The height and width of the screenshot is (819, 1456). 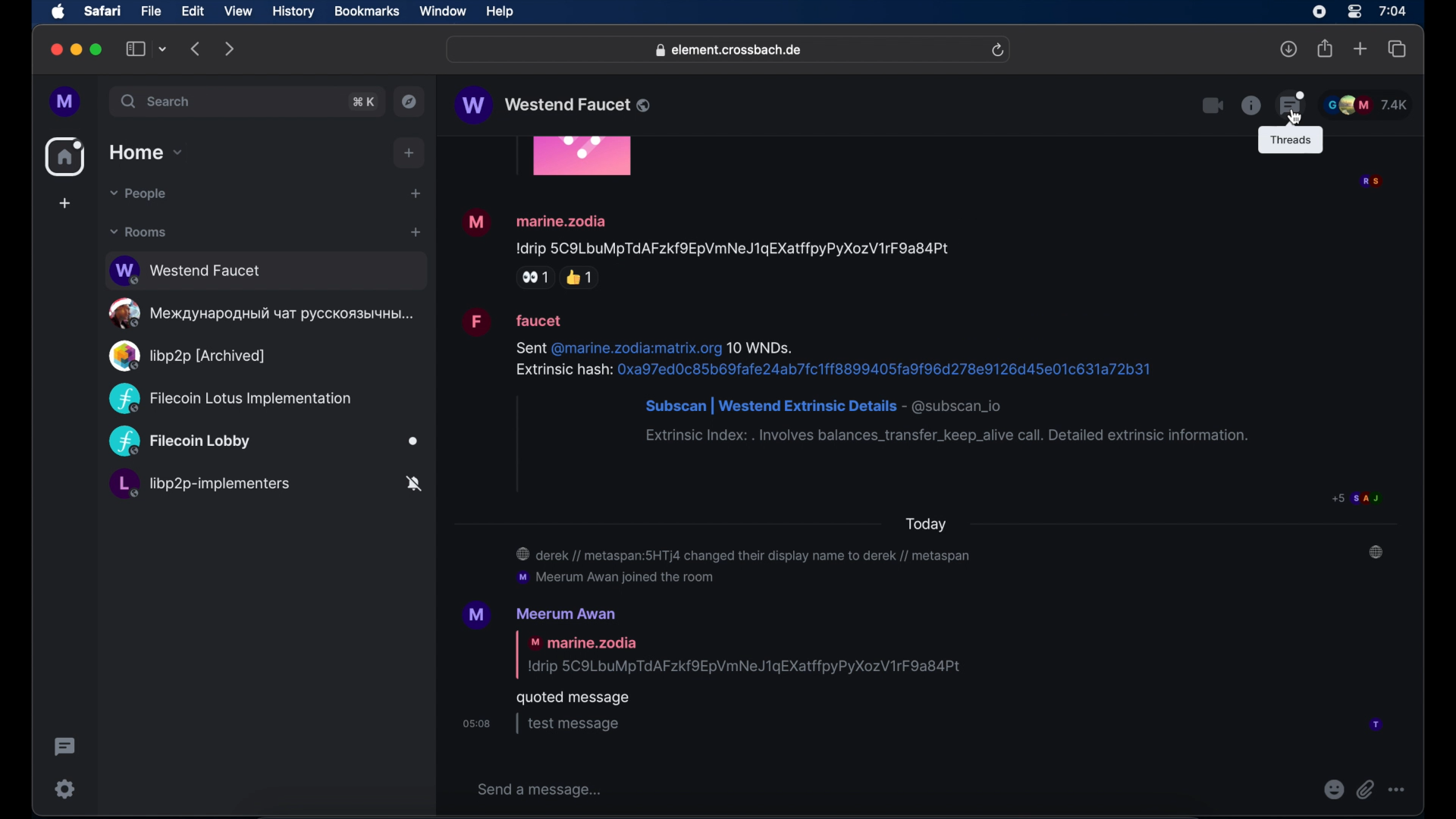 I want to click on search shortcut, so click(x=364, y=102).